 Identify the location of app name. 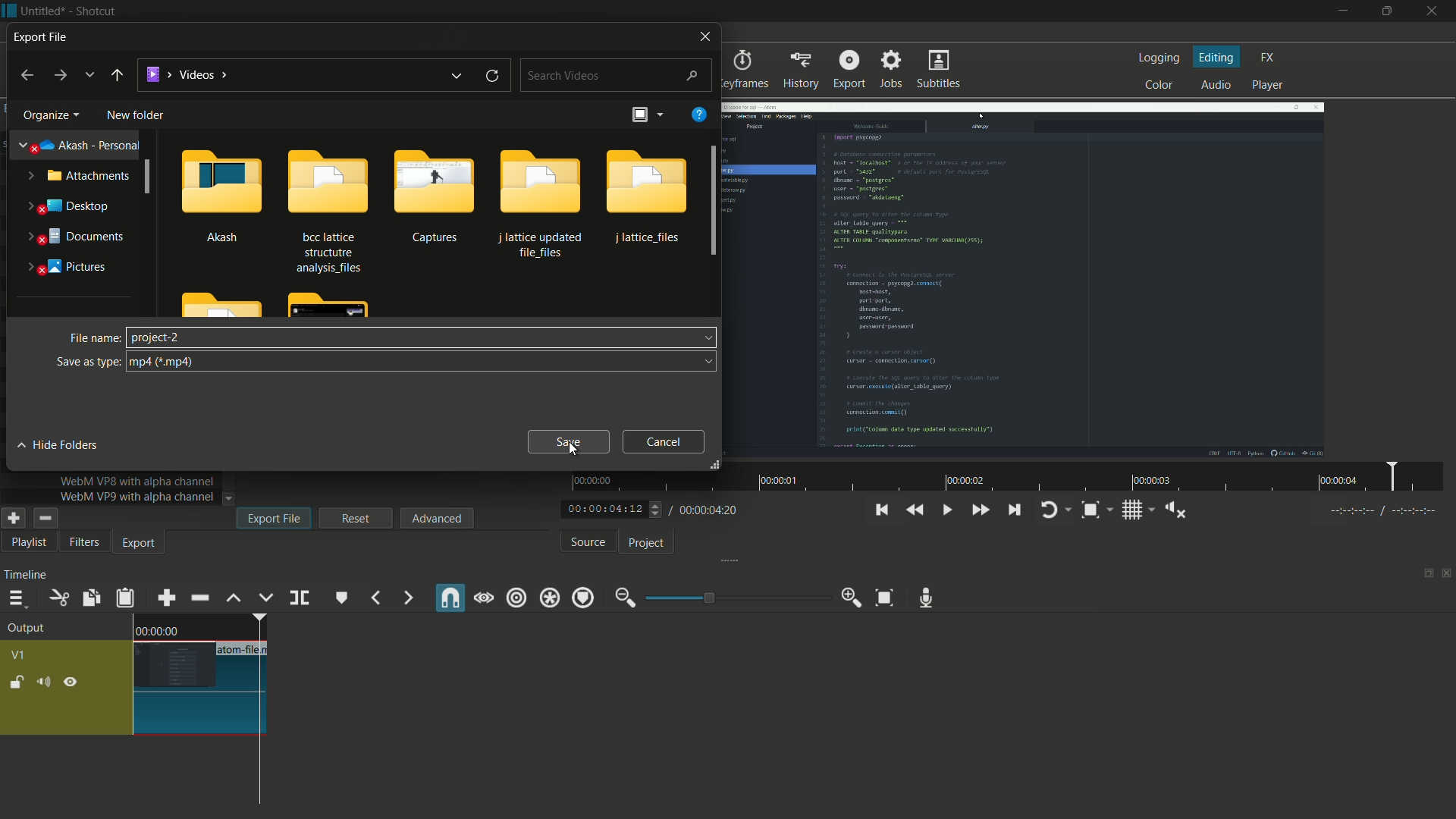
(94, 11).